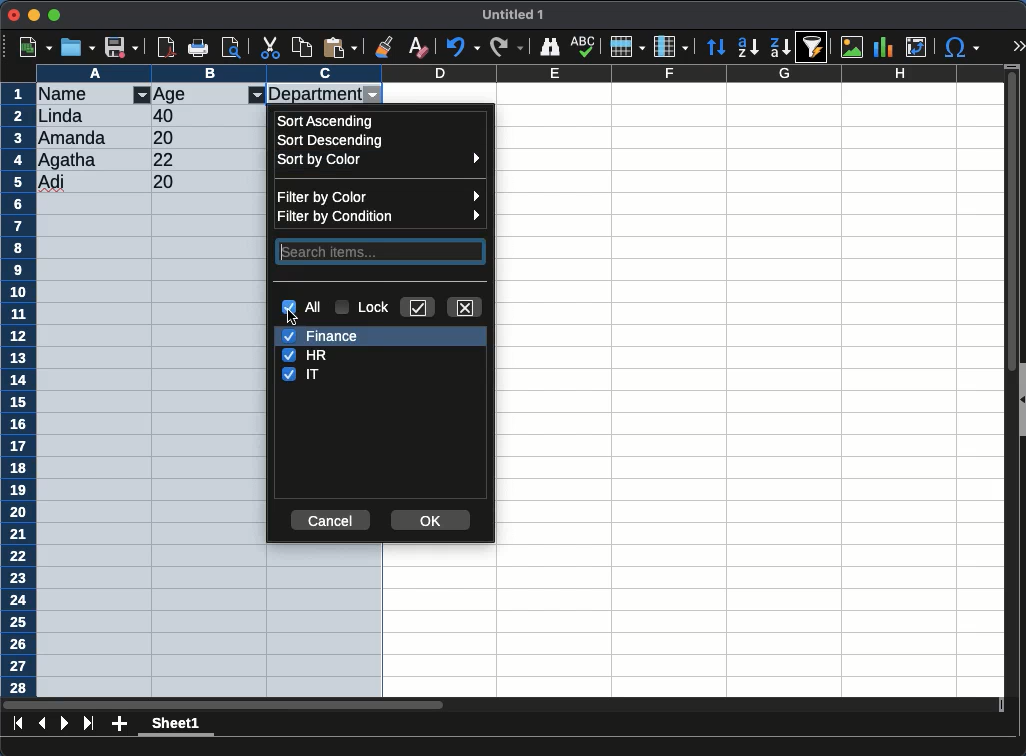  Describe the element at coordinates (748, 48) in the screenshot. I see `descending` at that location.